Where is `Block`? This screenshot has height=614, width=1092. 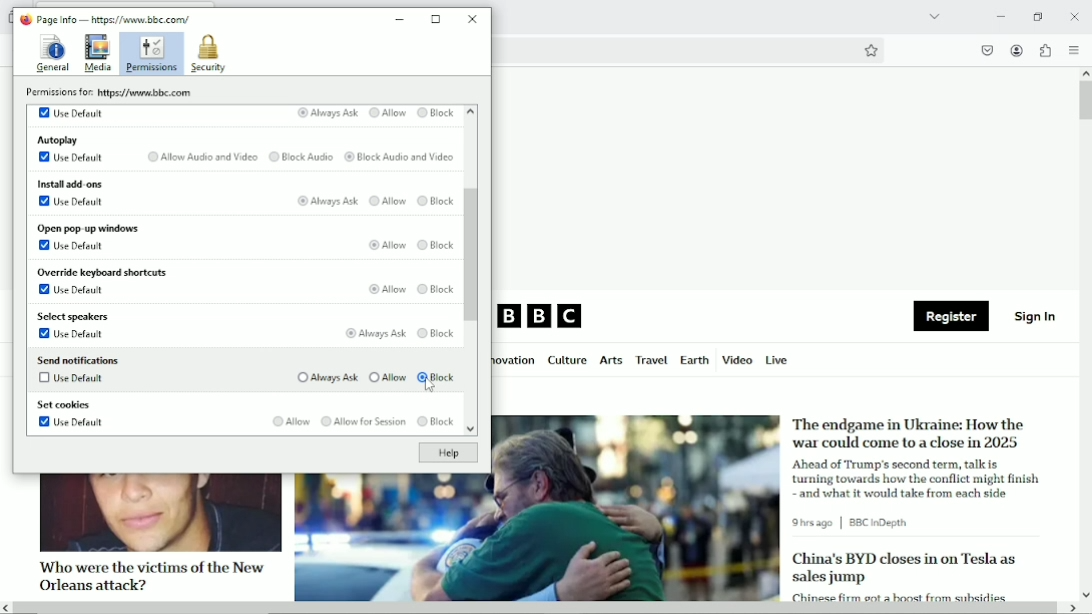
Block is located at coordinates (435, 203).